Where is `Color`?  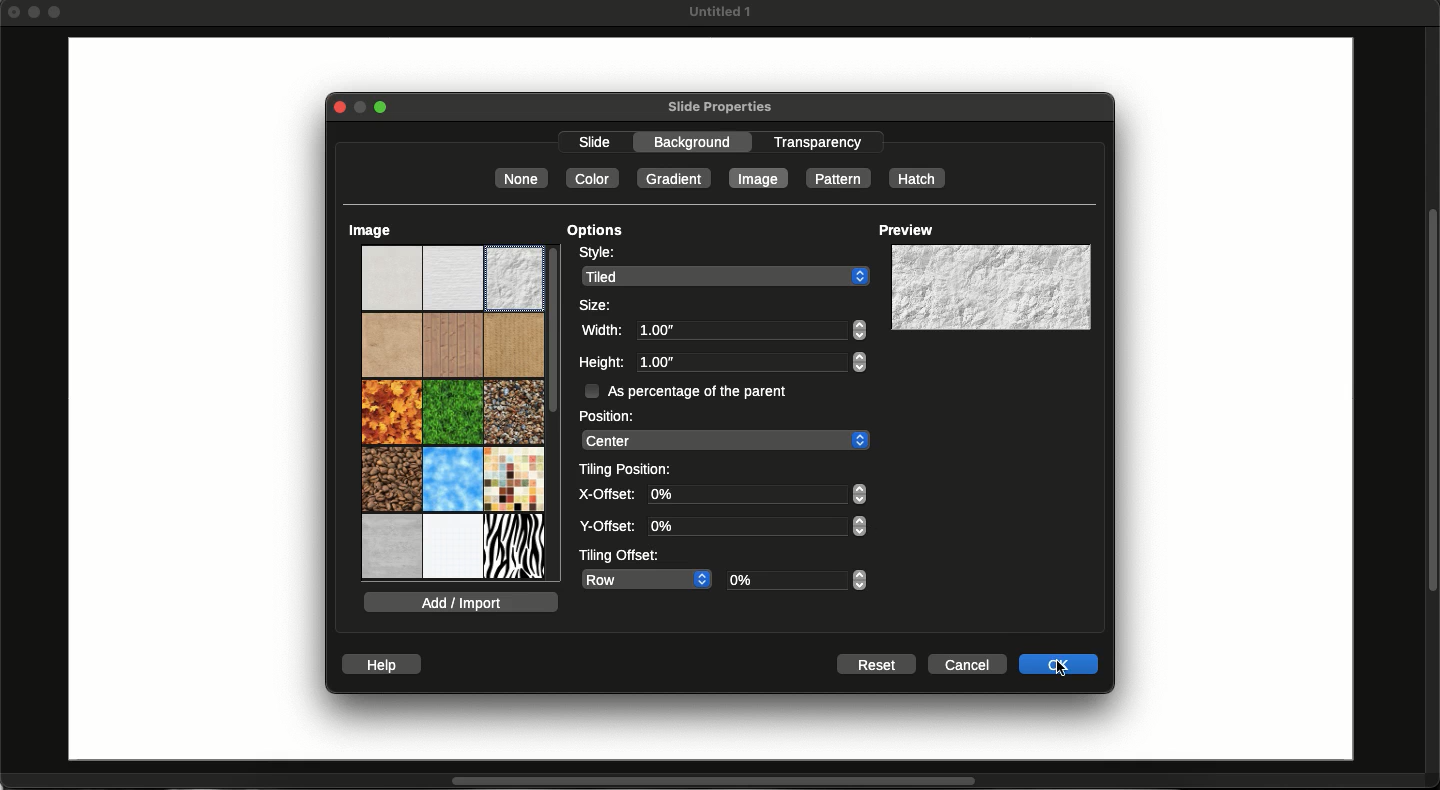
Color is located at coordinates (591, 179).